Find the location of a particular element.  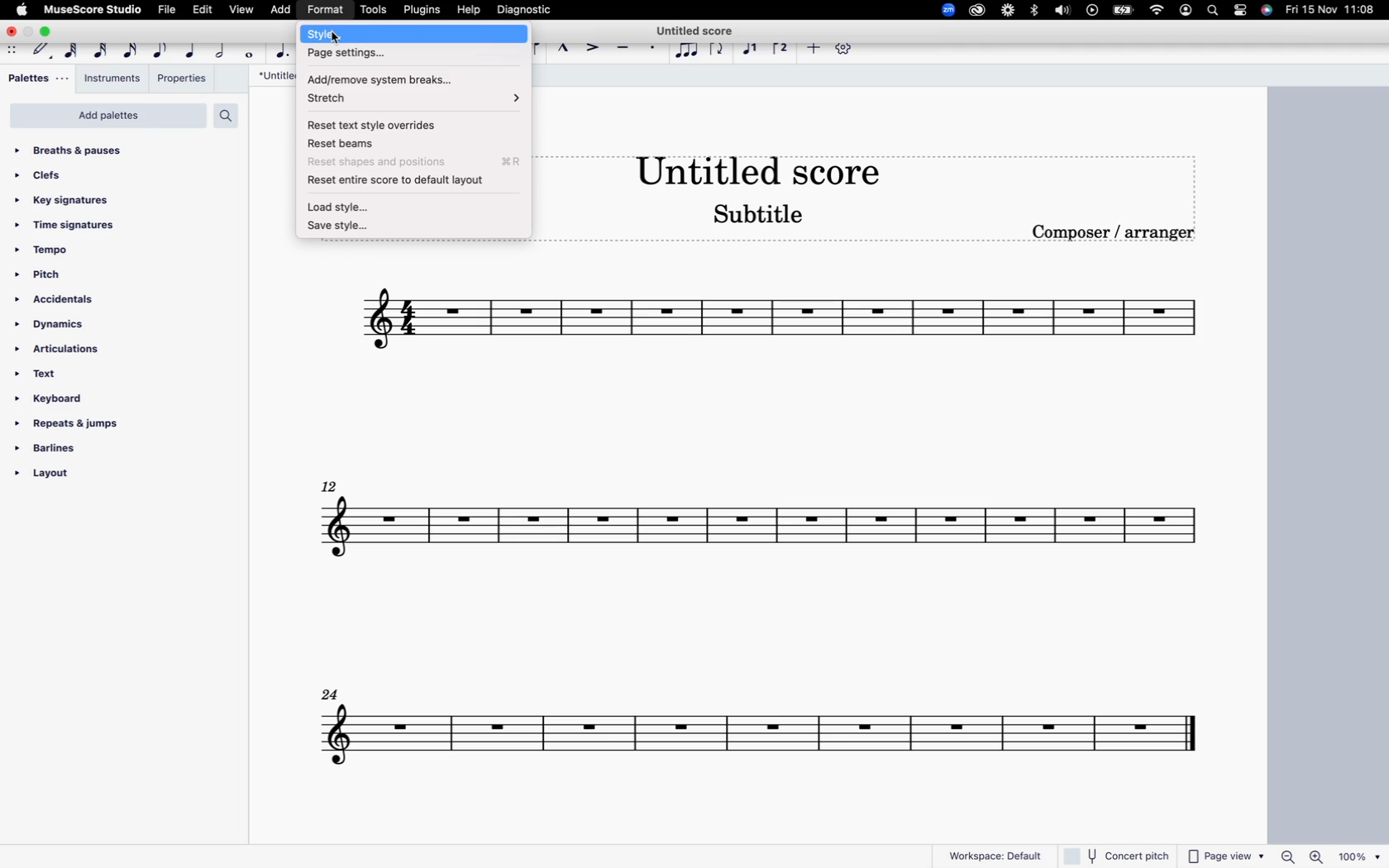

tempo is located at coordinates (45, 249).